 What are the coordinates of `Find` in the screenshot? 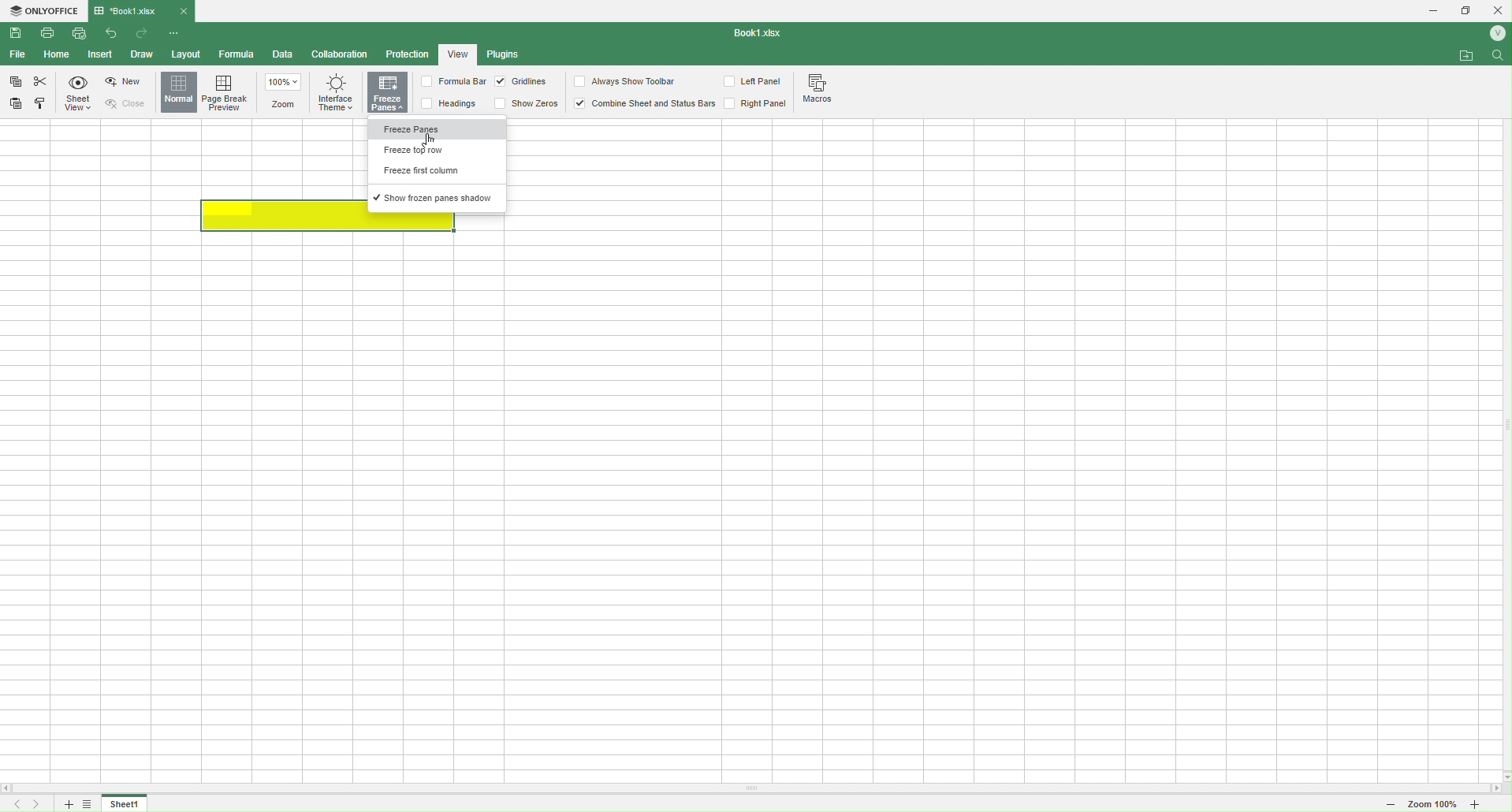 It's located at (1499, 58).